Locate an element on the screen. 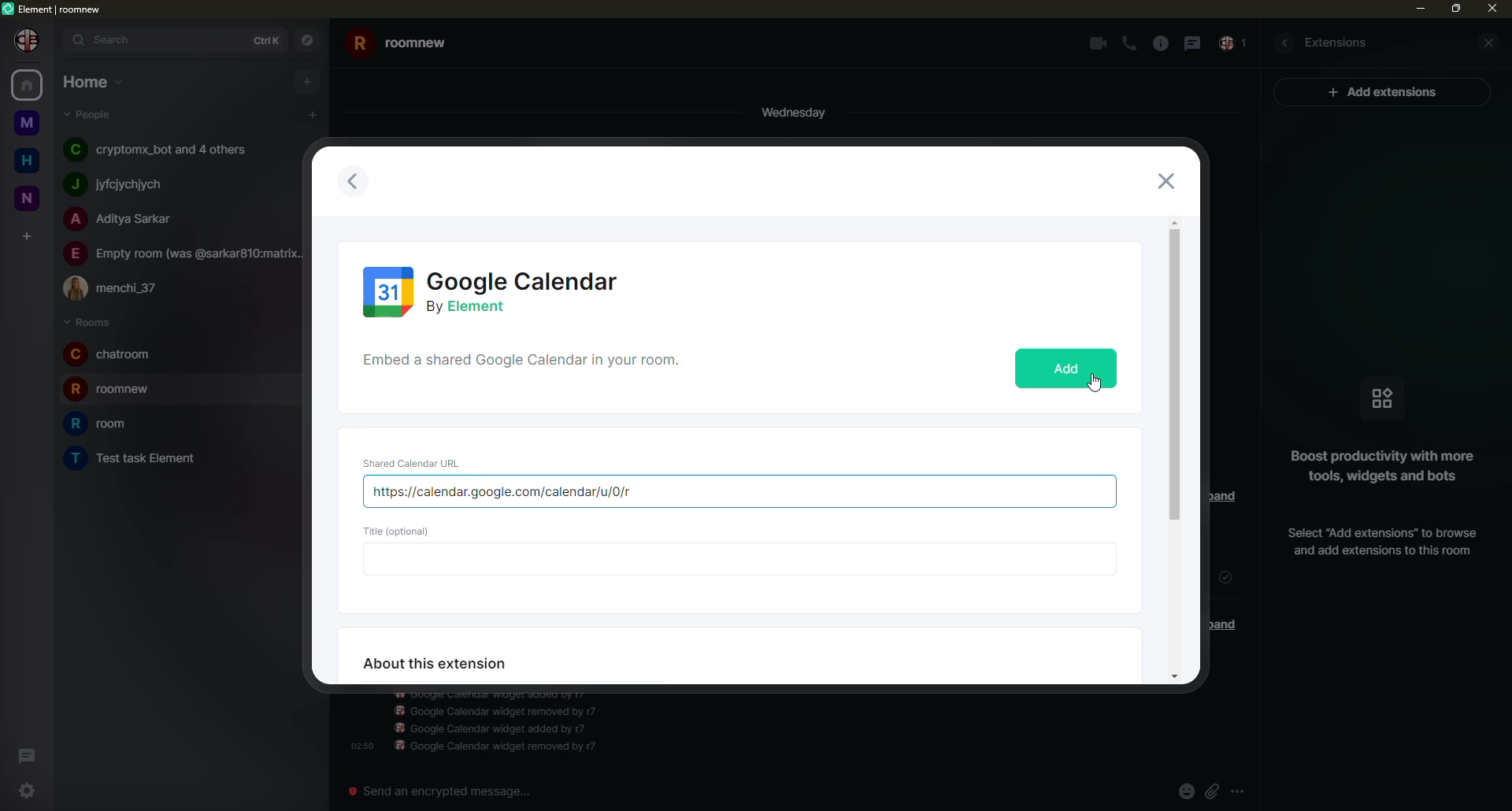 This screenshot has height=811, width=1512. icon is located at coordinates (1379, 398).